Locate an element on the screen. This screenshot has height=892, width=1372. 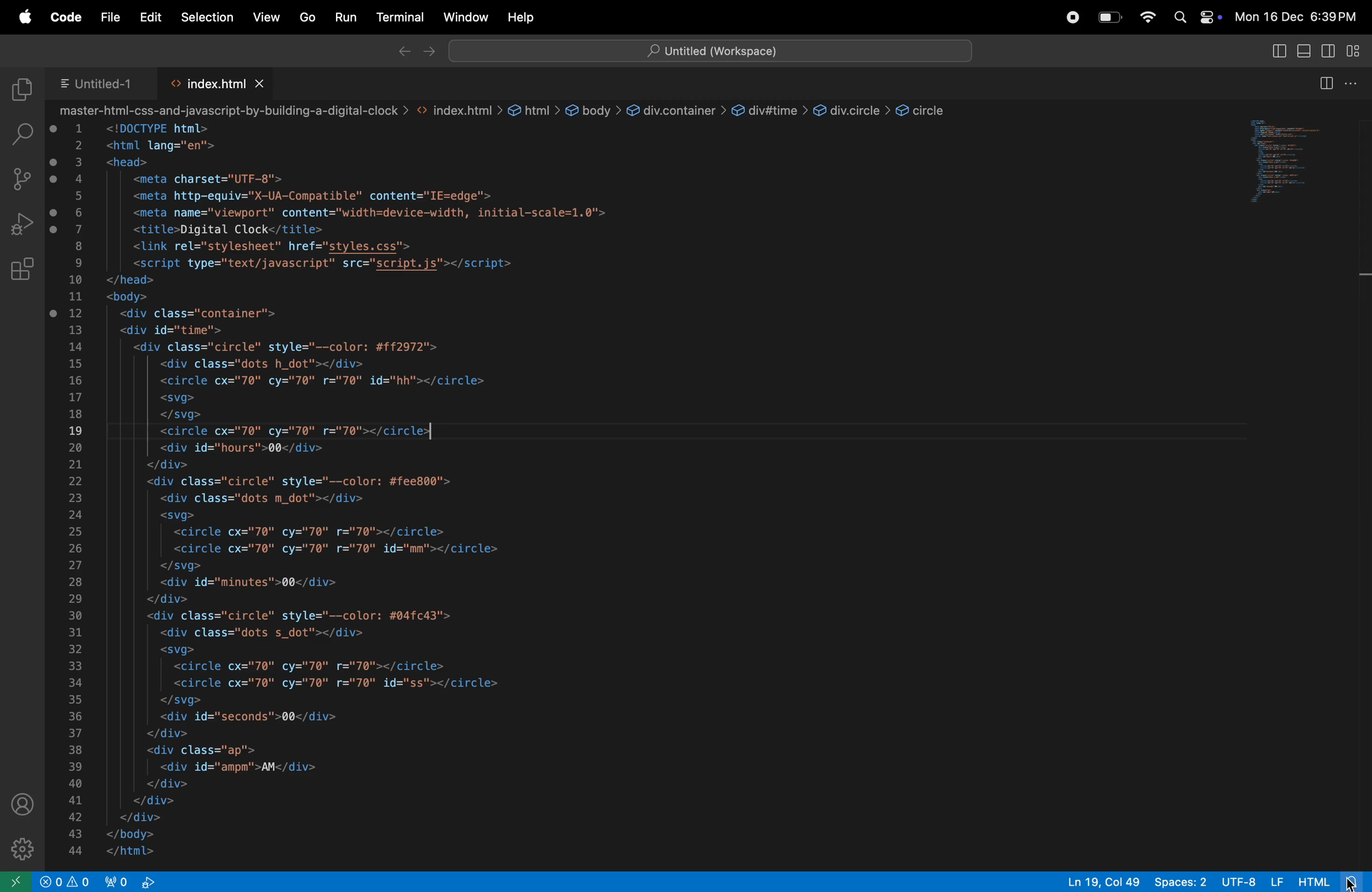
wifi is located at coordinates (1148, 17).